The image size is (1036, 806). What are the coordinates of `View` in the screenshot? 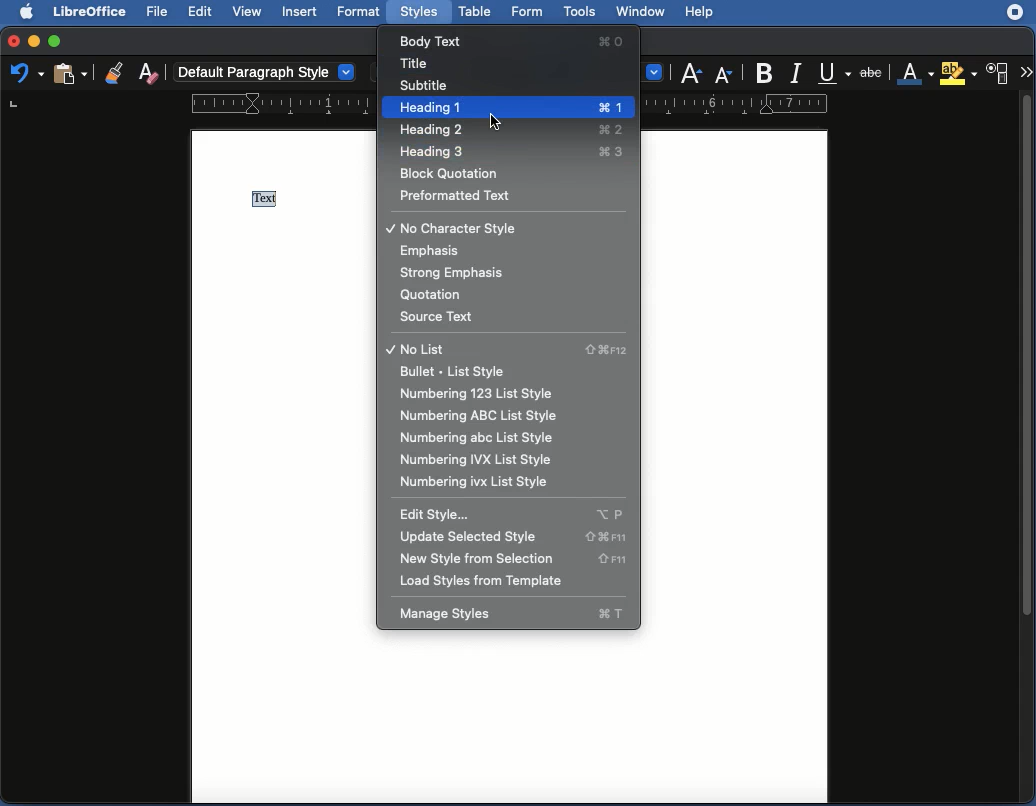 It's located at (249, 12).